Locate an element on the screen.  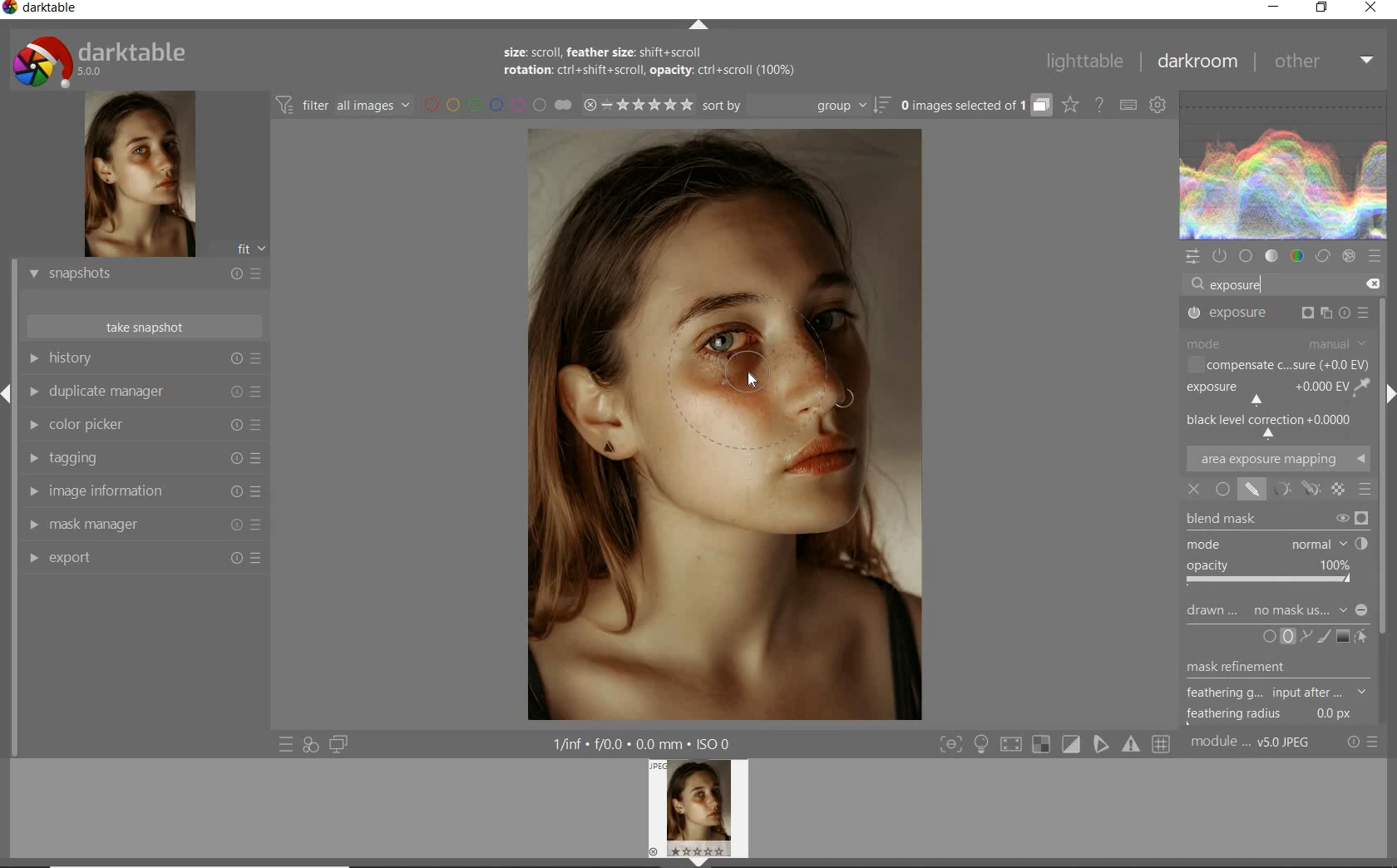
FEATHERING G... is located at coordinates (1276, 693).